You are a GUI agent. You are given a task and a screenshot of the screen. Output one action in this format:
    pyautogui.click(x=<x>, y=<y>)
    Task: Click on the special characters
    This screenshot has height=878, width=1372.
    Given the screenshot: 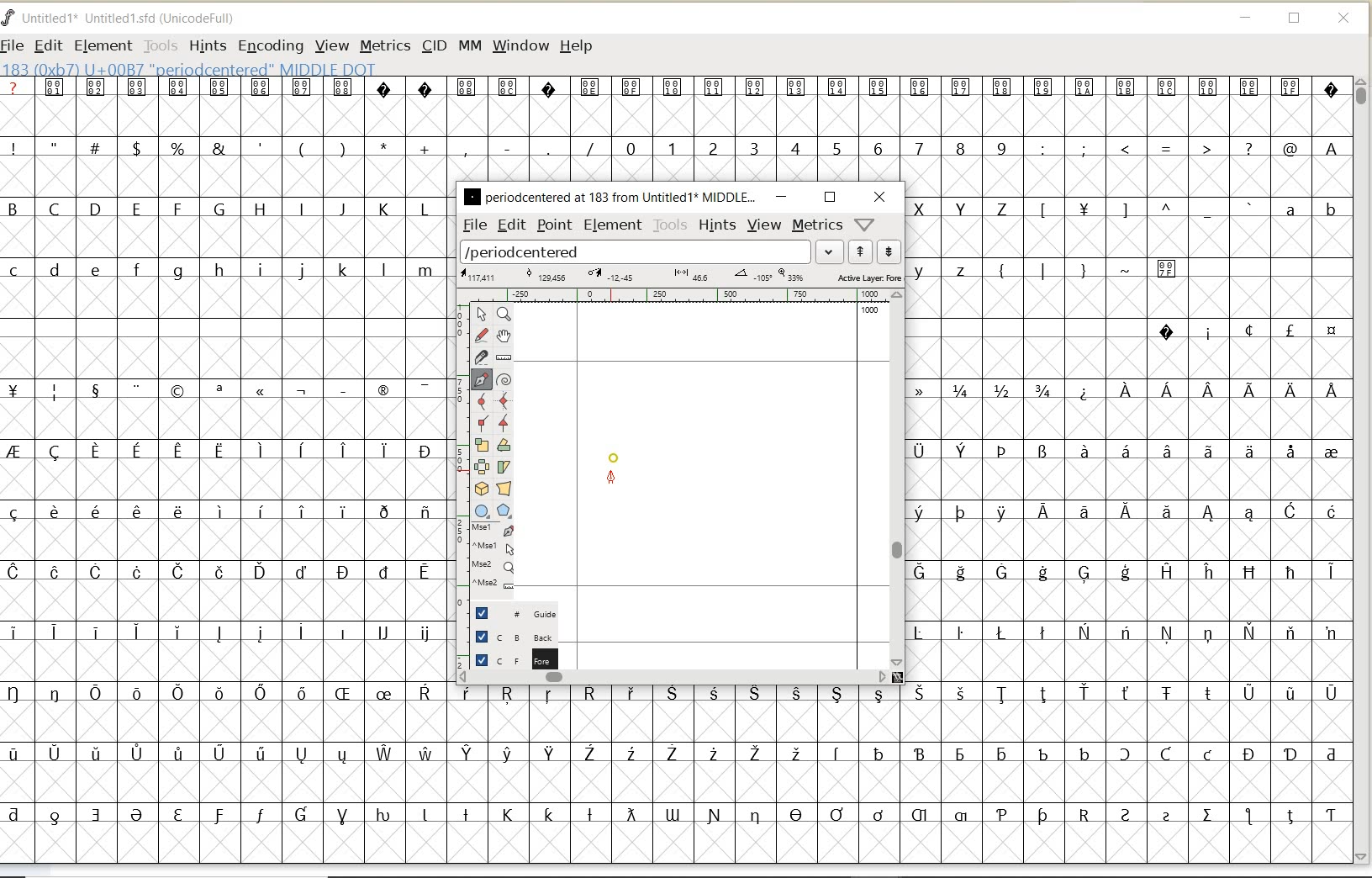 What is the action you would take?
    pyautogui.click(x=895, y=761)
    